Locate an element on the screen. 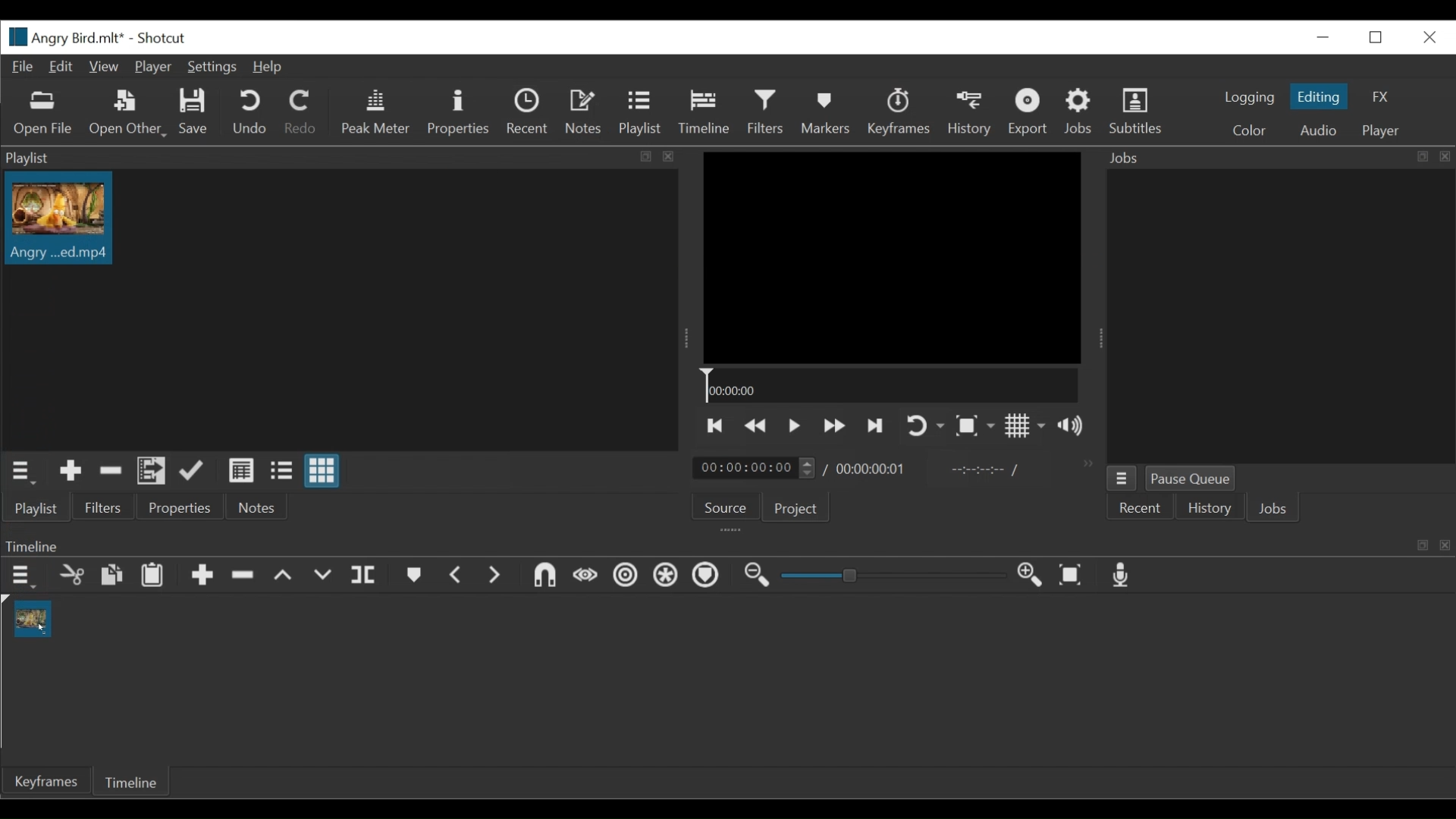  Clip is located at coordinates (33, 617).